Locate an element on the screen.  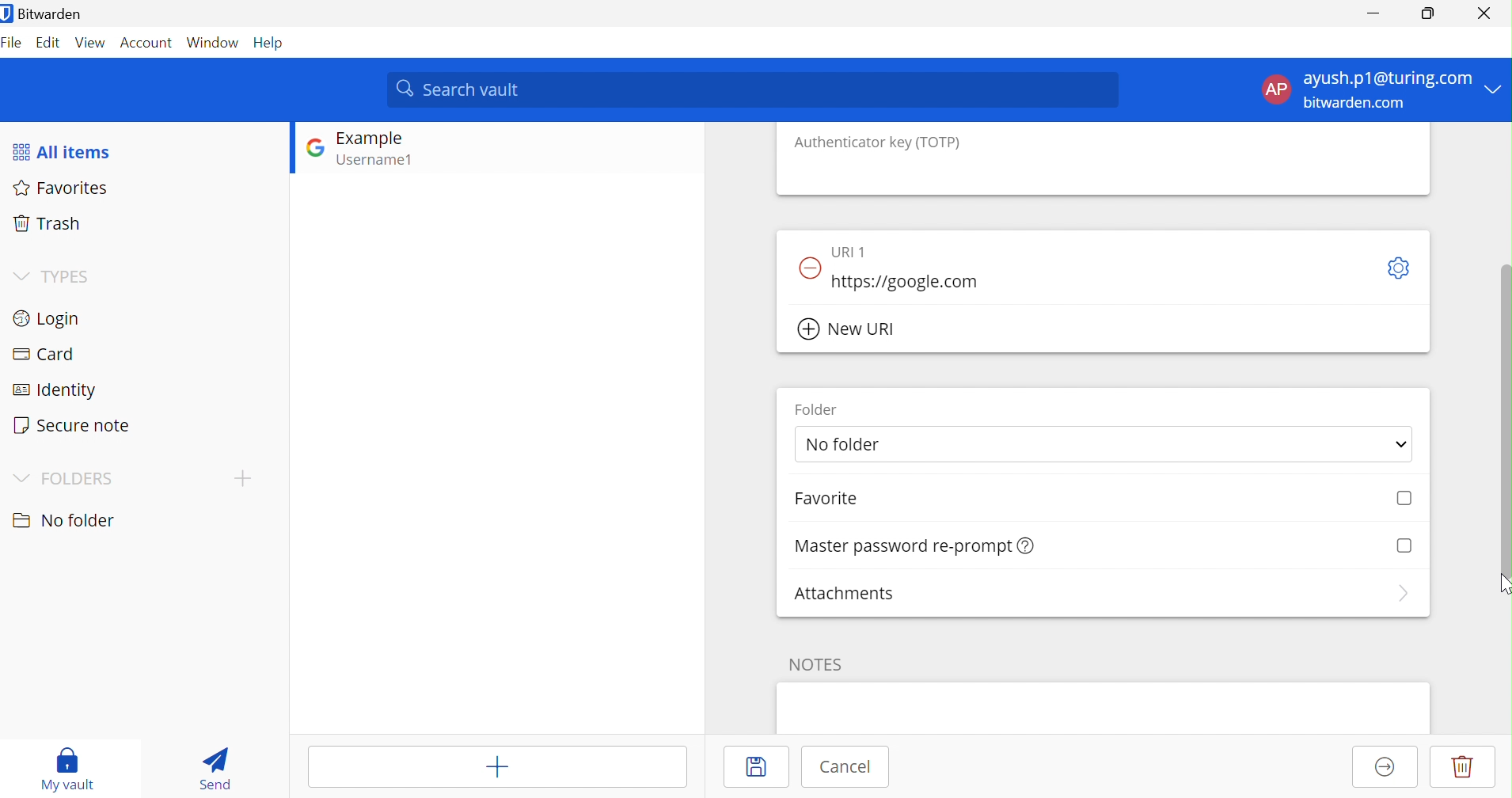
Authenticator key (TOTP) is located at coordinates (878, 142).